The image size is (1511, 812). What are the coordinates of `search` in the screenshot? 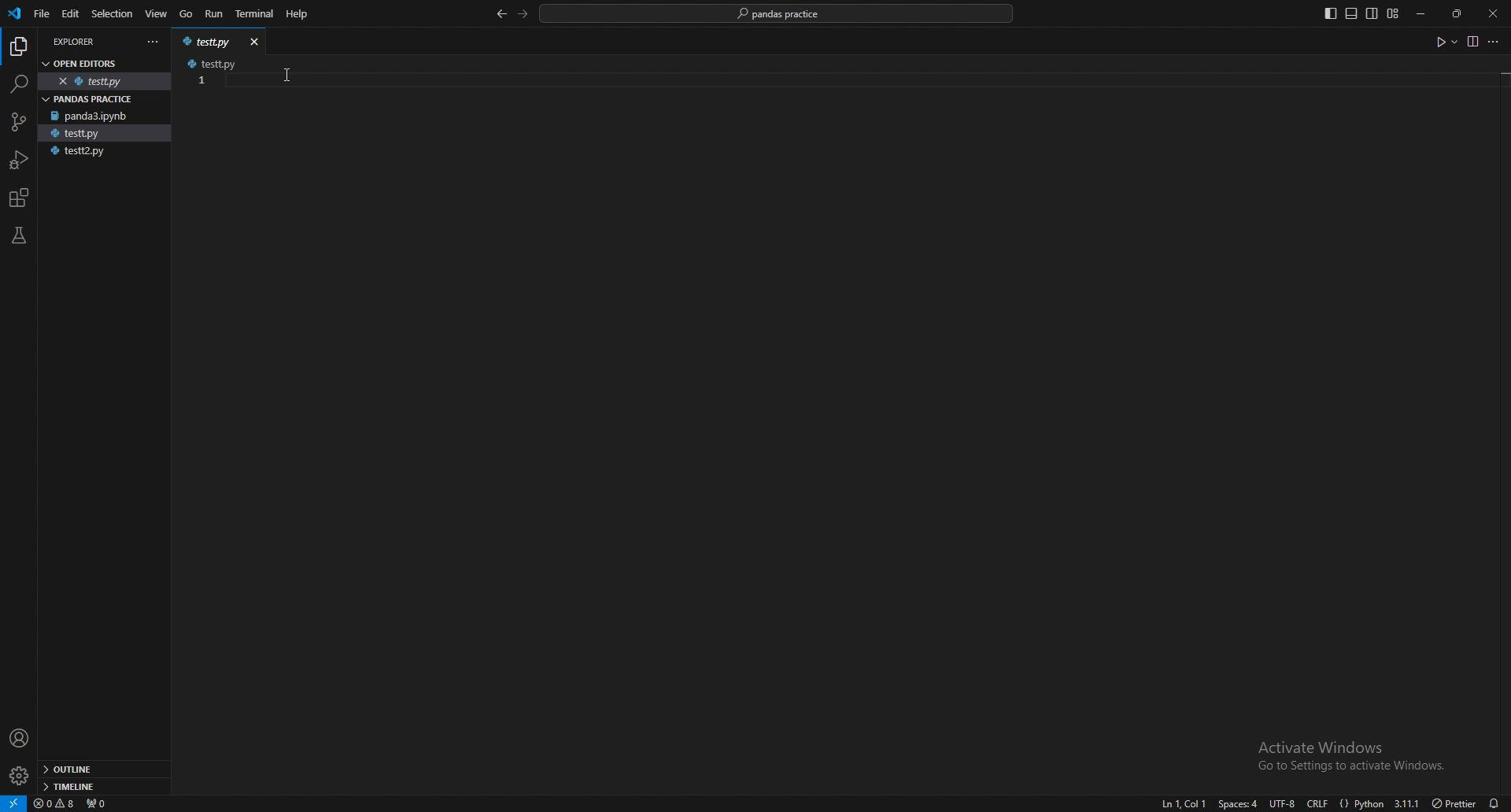 It's located at (17, 84).